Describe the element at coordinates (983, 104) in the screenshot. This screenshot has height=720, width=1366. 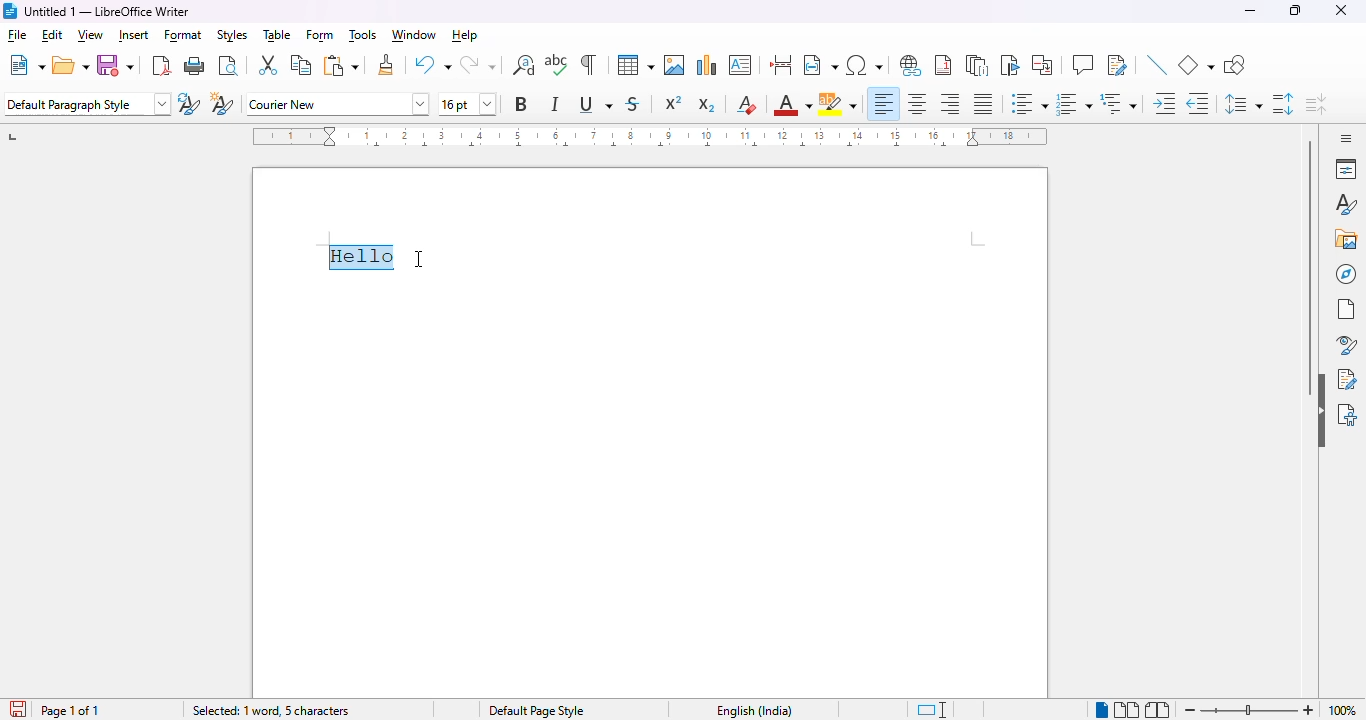
I see `justified` at that location.